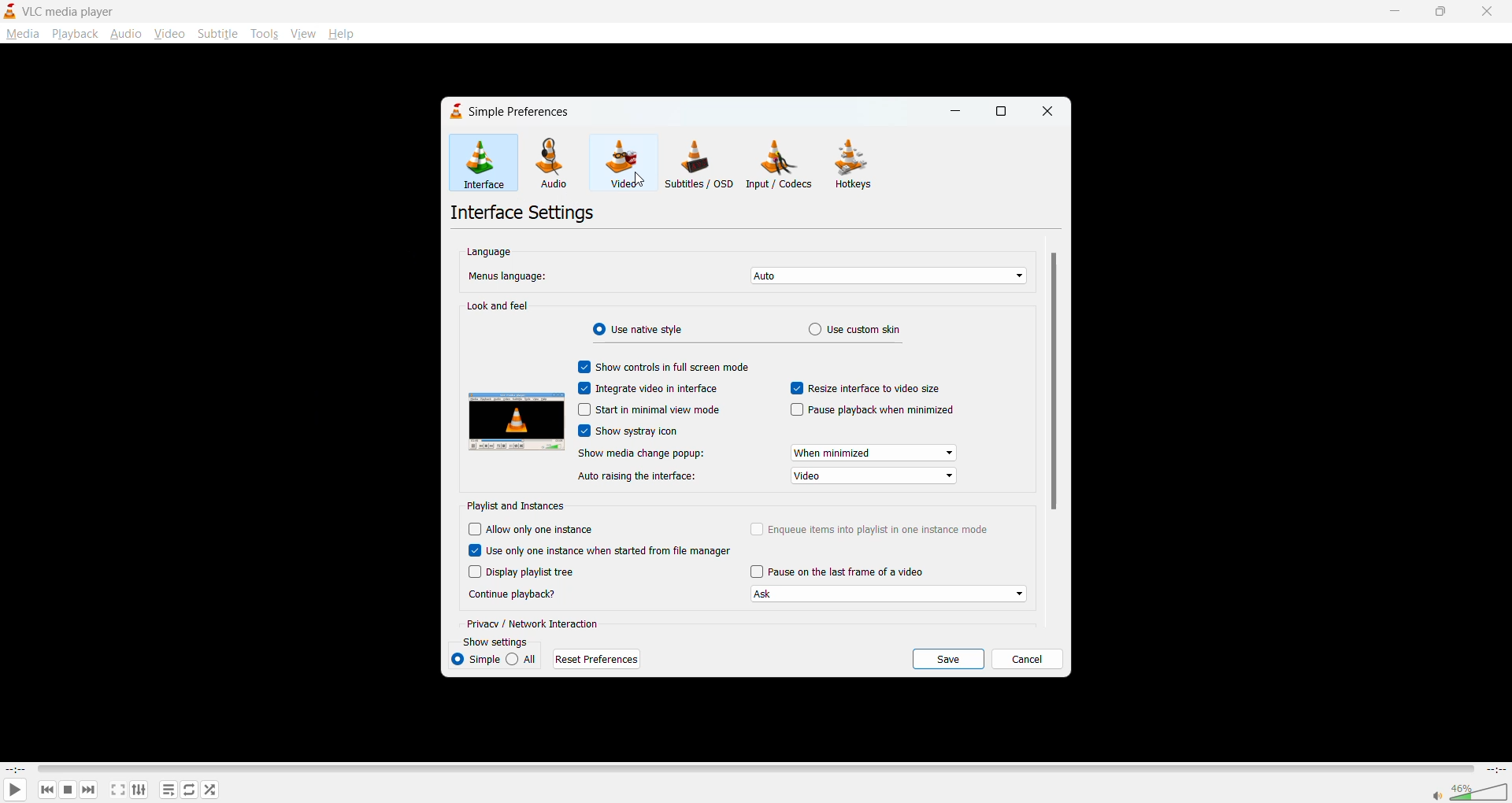  Describe the element at coordinates (65, 790) in the screenshot. I see `stop` at that location.